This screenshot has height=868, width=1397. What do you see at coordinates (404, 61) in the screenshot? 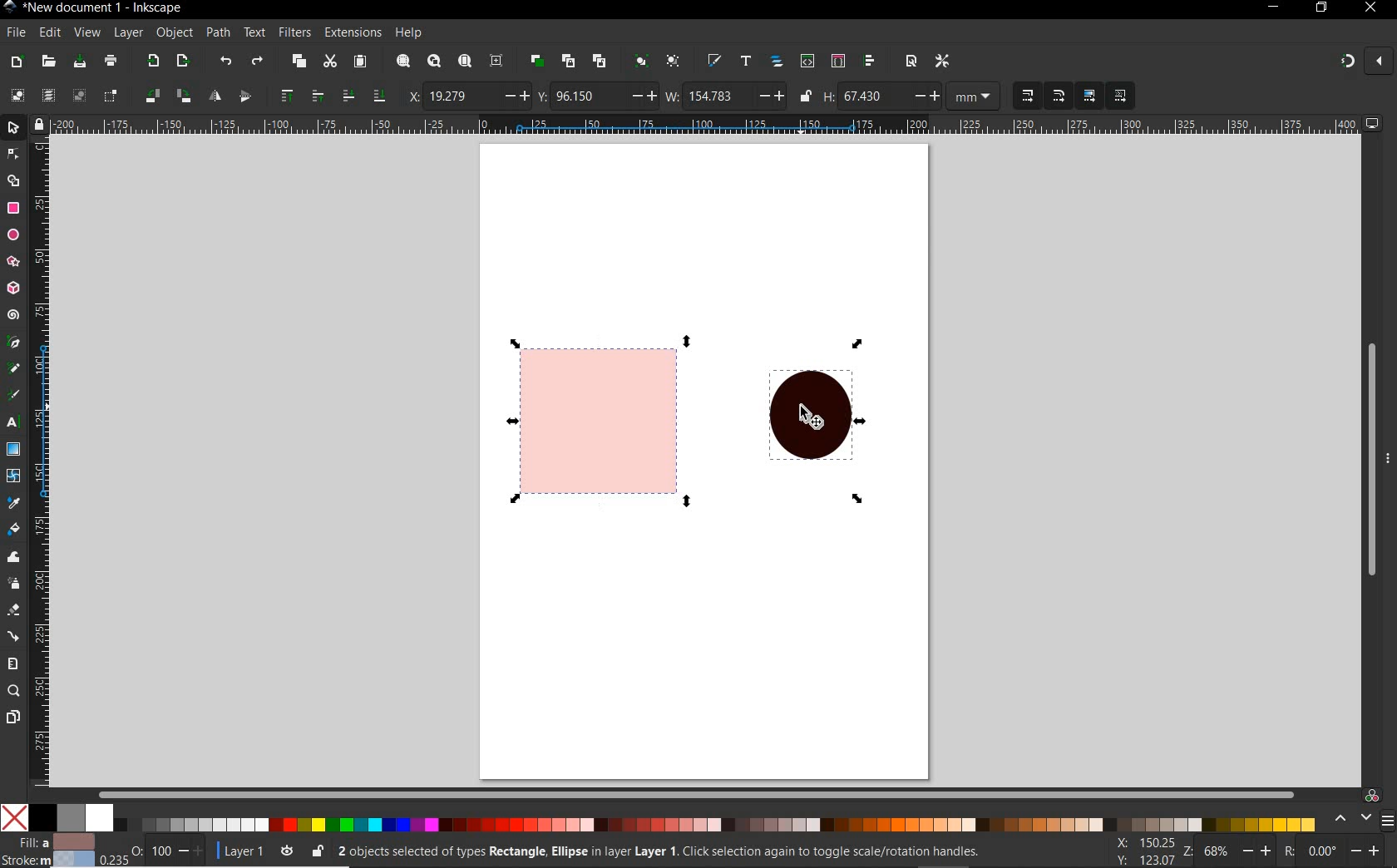
I see `zoom selection` at bounding box center [404, 61].